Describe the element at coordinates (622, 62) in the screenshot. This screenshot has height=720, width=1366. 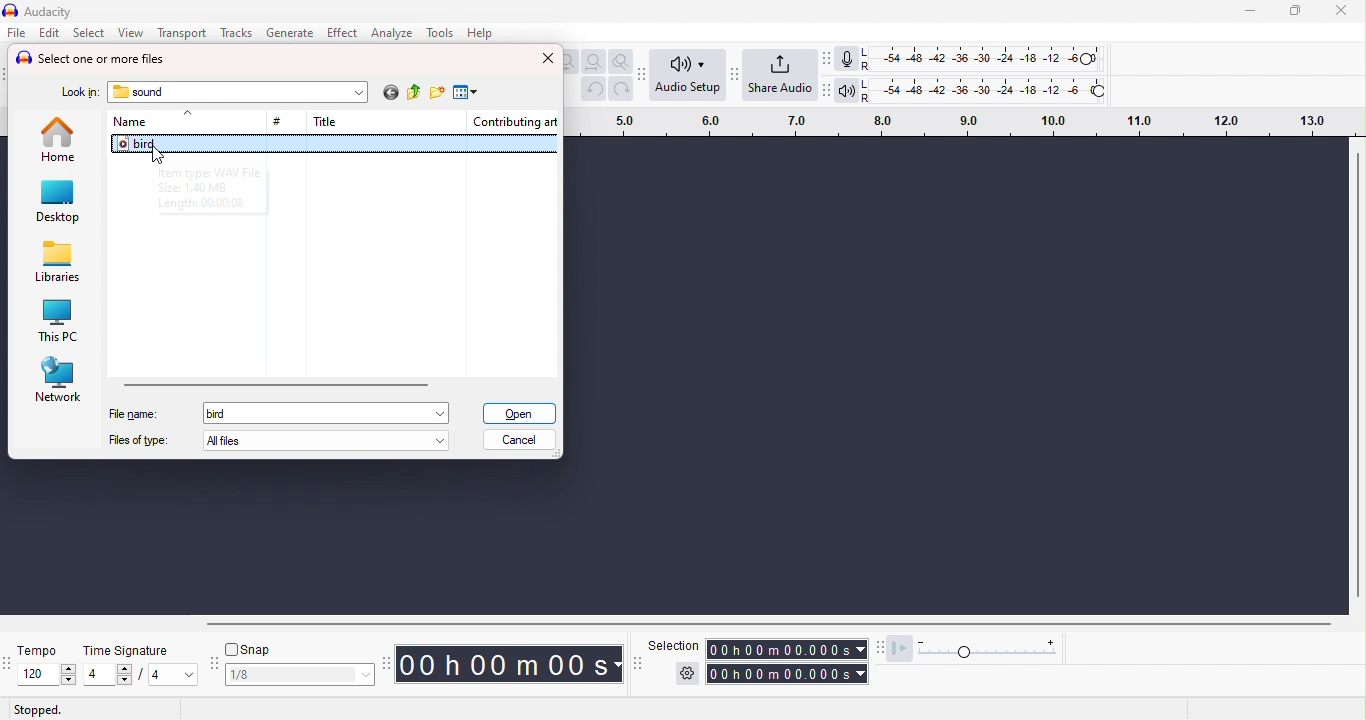
I see `toggle zoom` at that location.